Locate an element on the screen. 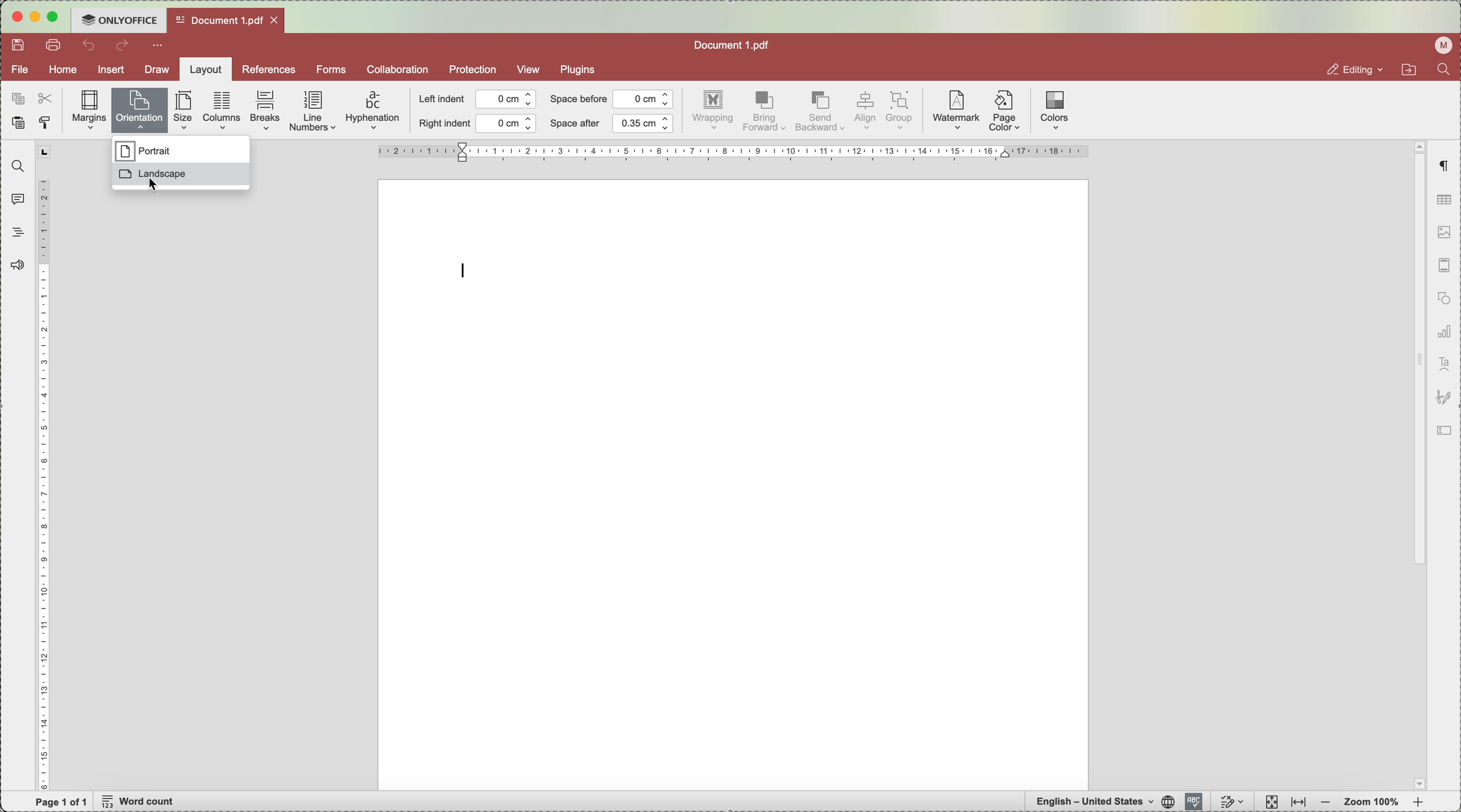 This screenshot has height=812, width=1461. zoom in is located at coordinates (1418, 803).